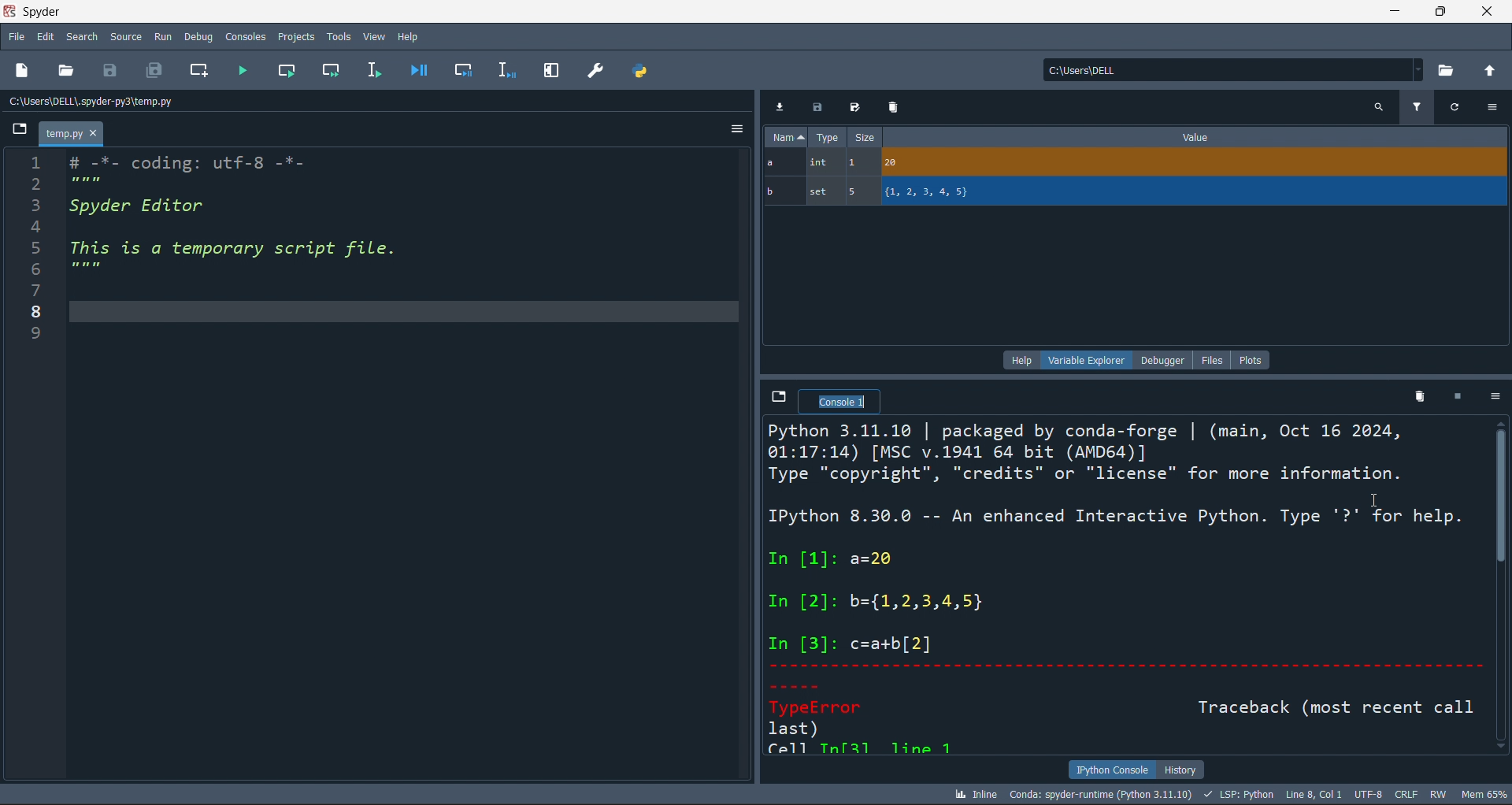 This screenshot has width=1512, height=805. What do you see at coordinates (841, 403) in the screenshot?
I see `console 1` at bounding box center [841, 403].